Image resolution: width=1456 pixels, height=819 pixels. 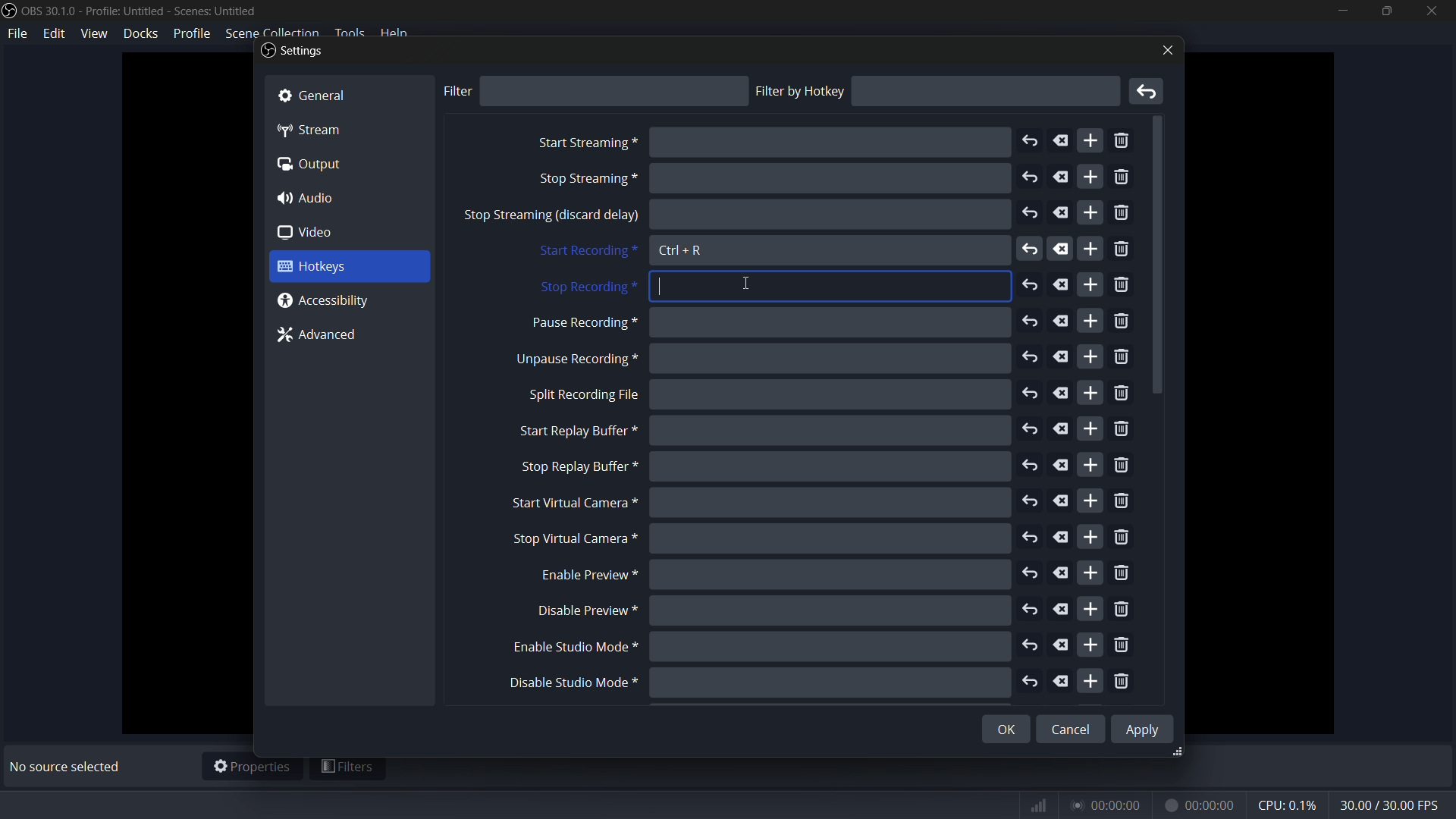 I want to click on No source selected, so click(x=69, y=767).